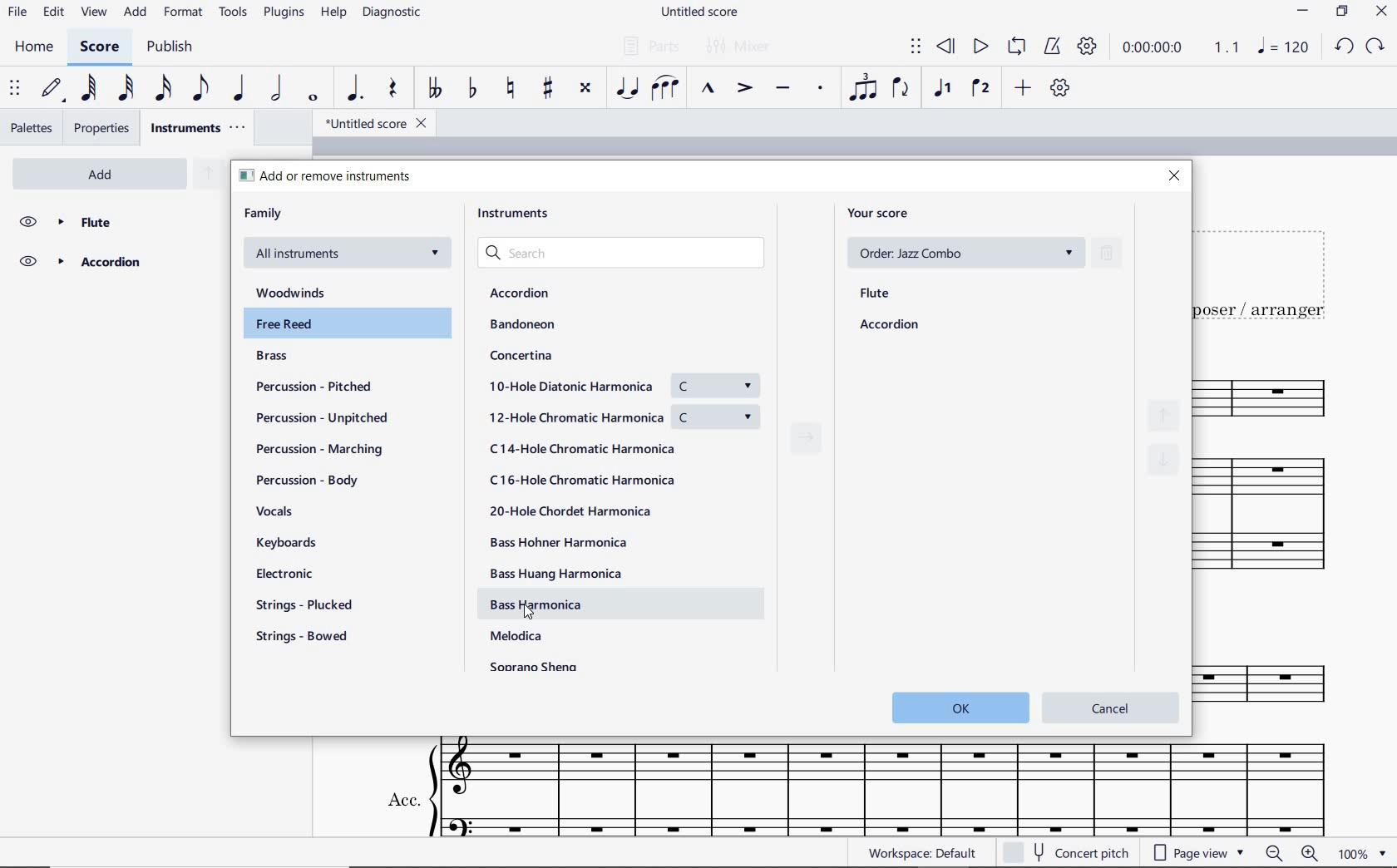  I want to click on select to move, so click(916, 47).